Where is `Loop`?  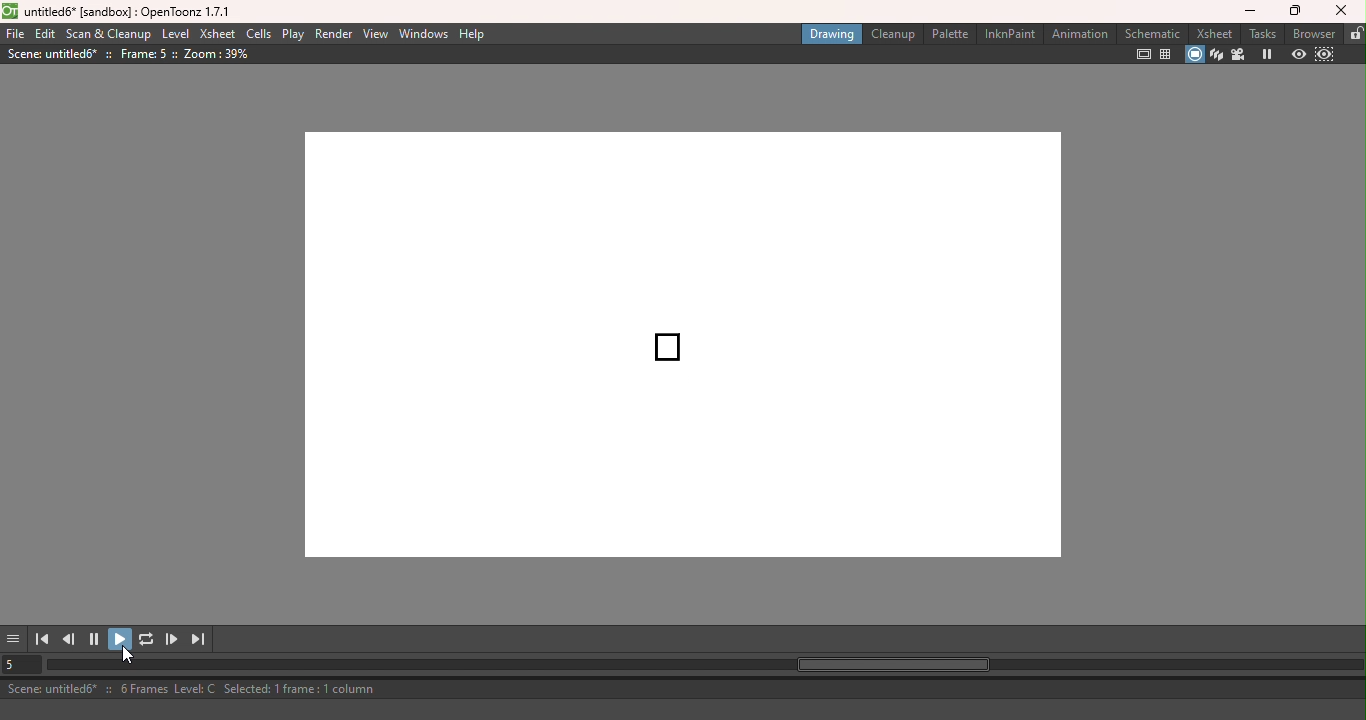 Loop is located at coordinates (147, 641).